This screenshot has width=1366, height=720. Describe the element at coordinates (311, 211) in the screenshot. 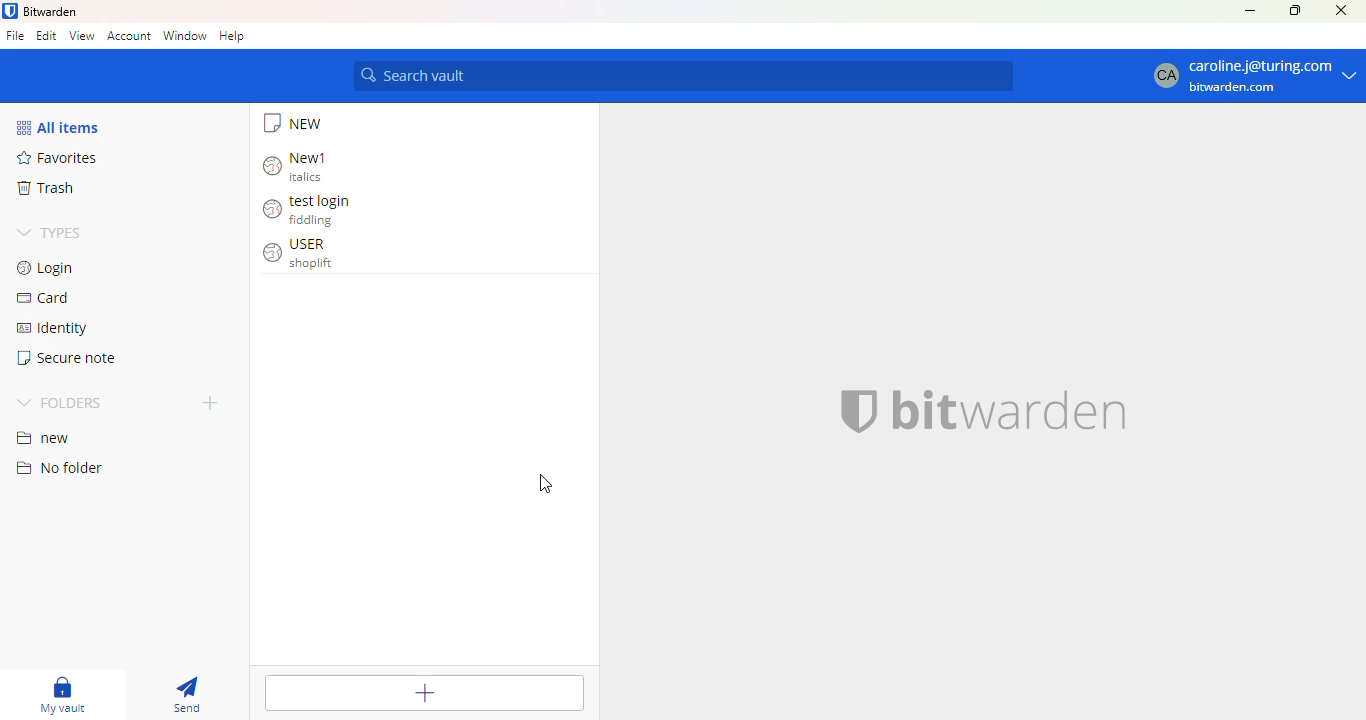

I see `test login    fiddling` at that location.